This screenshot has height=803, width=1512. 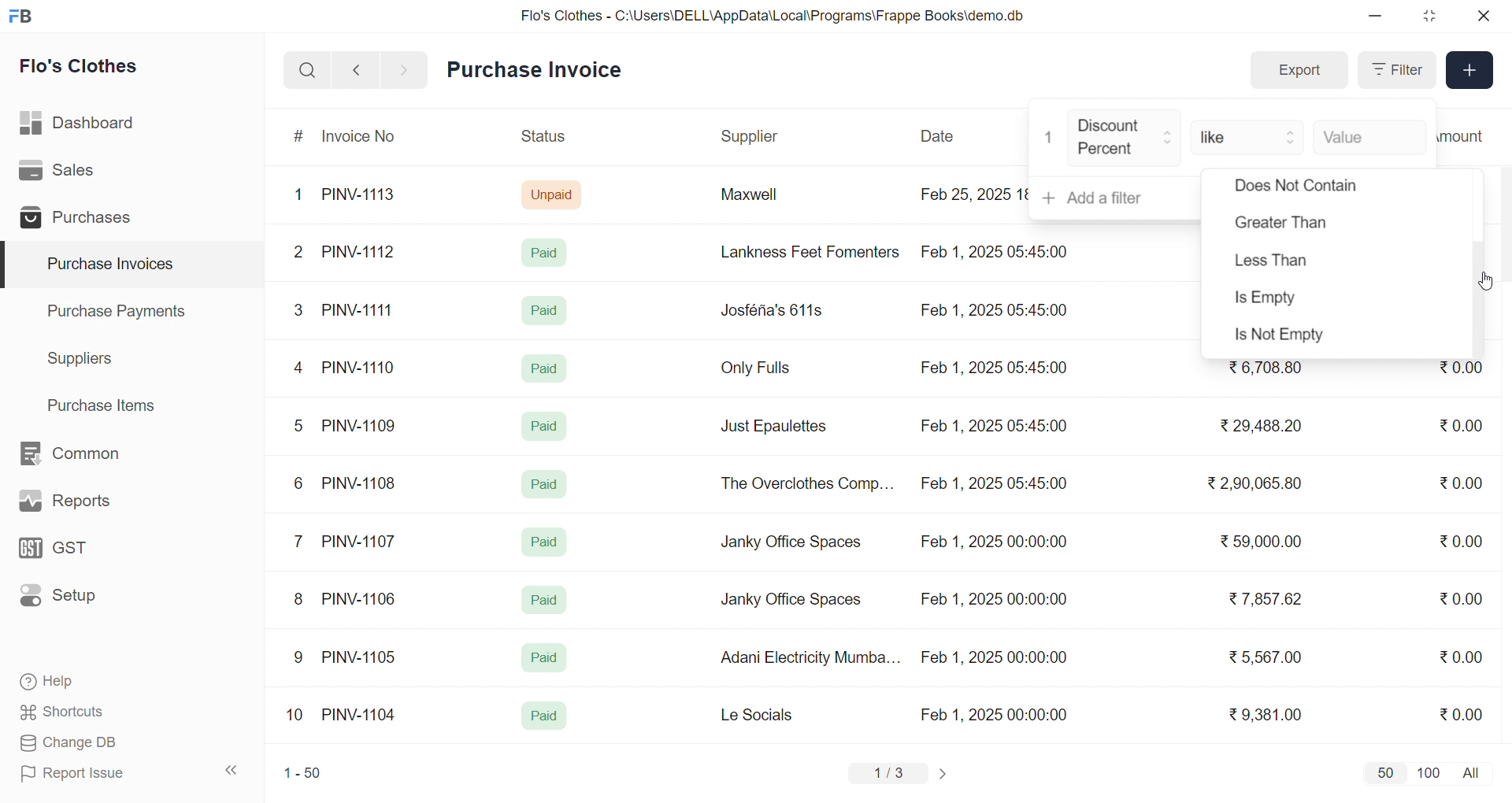 What do you see at coordinates (998, 250) in the screenshot?
I see `Feb 1, 2025 05:45:00` at bounding box center [998, 250].